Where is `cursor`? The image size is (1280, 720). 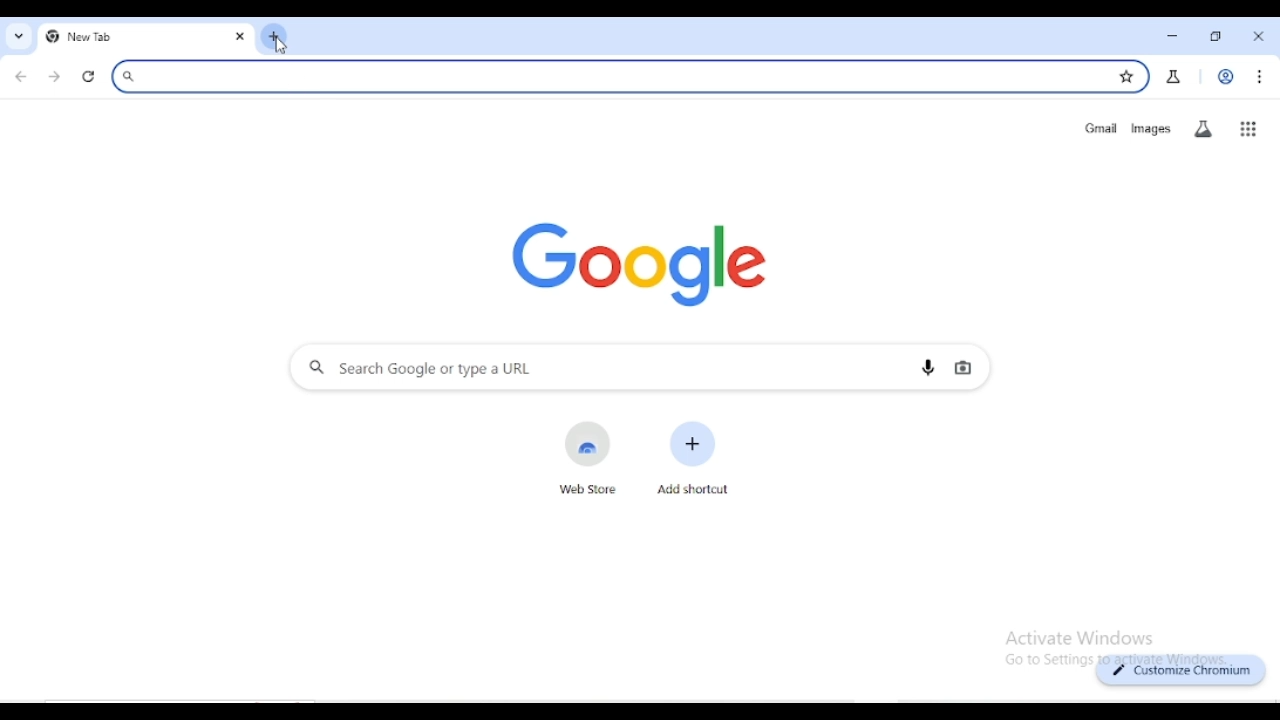 cursor is located at coordinates (280, 47).